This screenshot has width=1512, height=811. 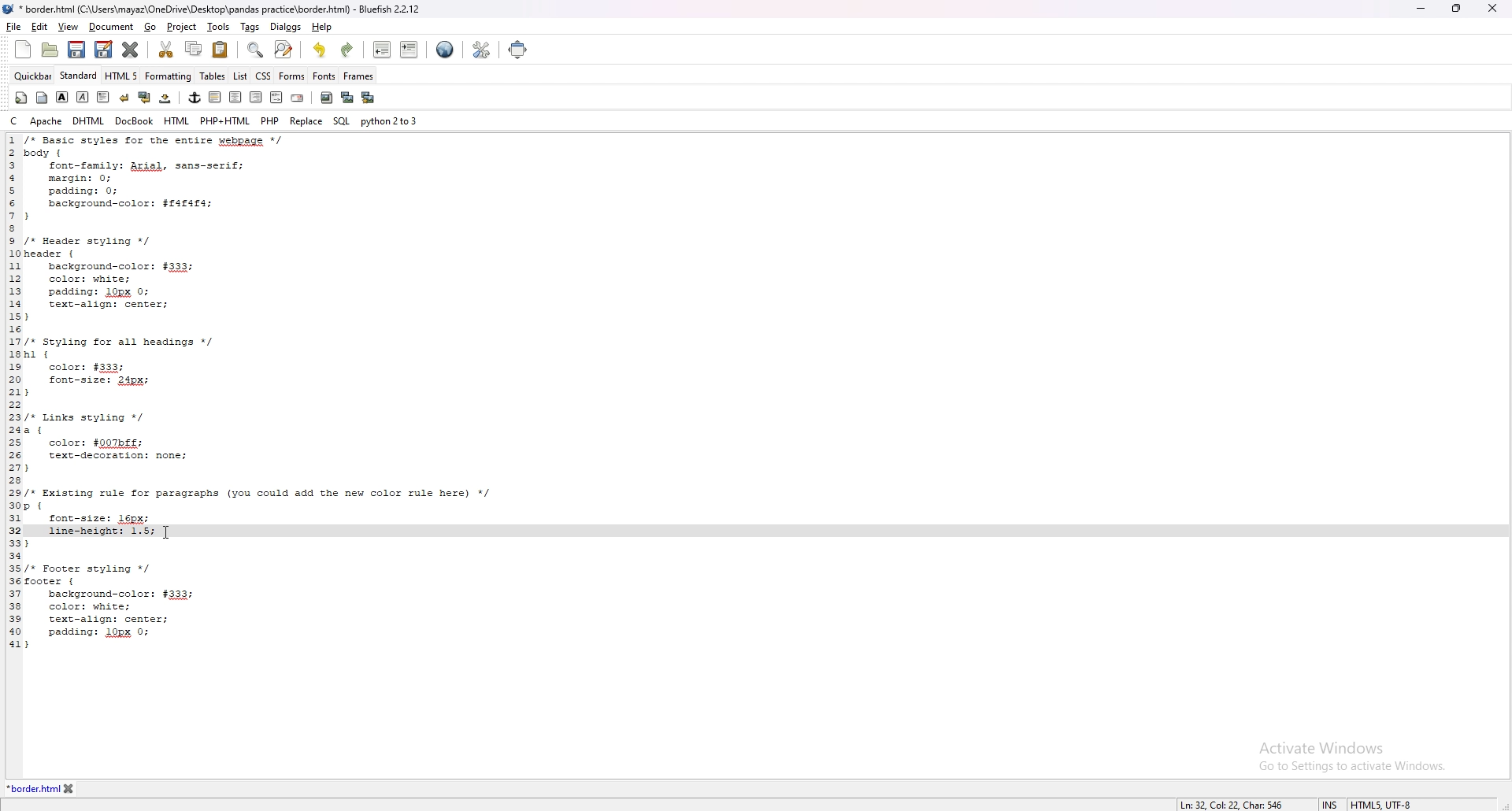 What do you see at coordinates (321, 27) in the screenshot?
I see `help` at bounding box center [321, 27].